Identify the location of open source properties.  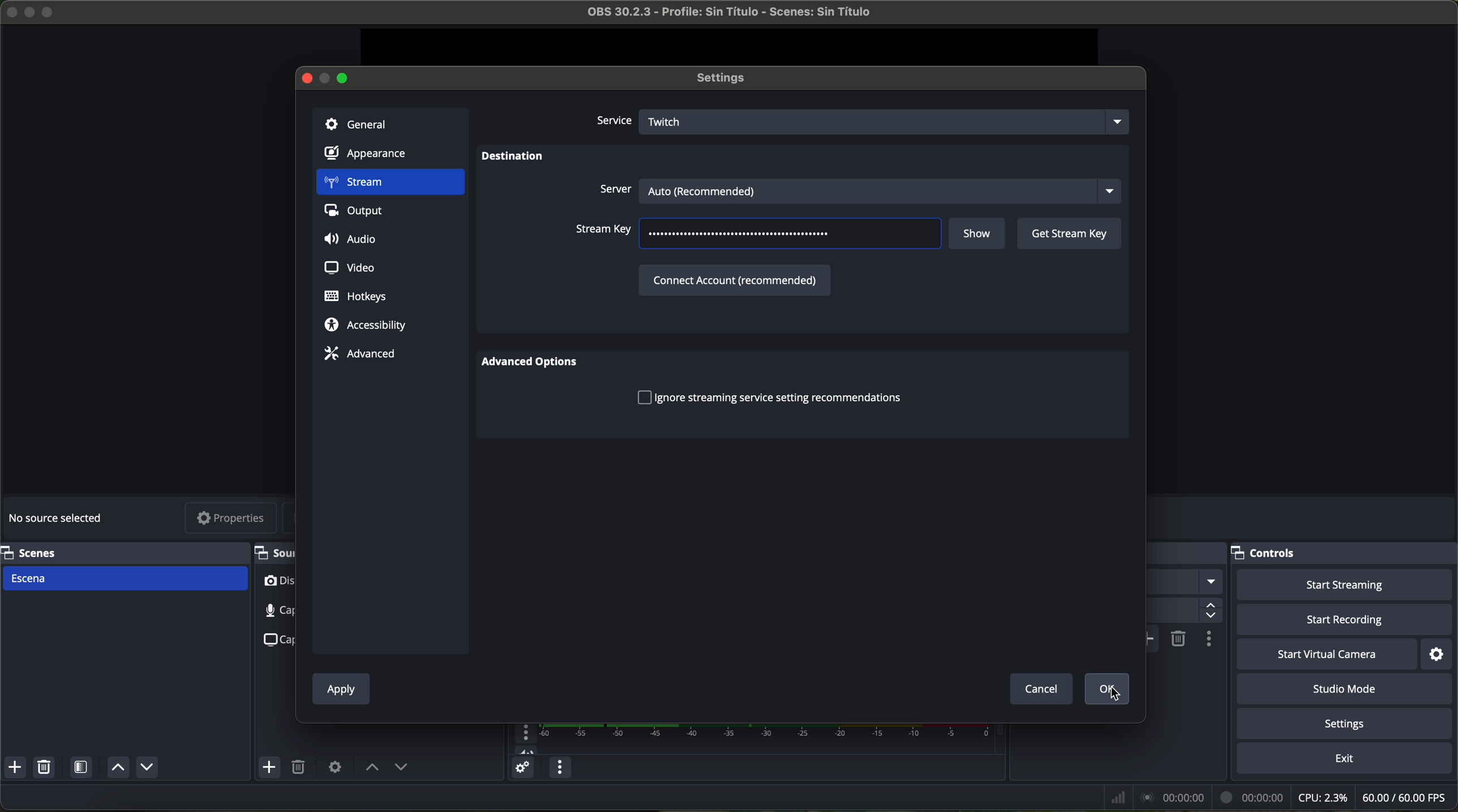
(335, 766).